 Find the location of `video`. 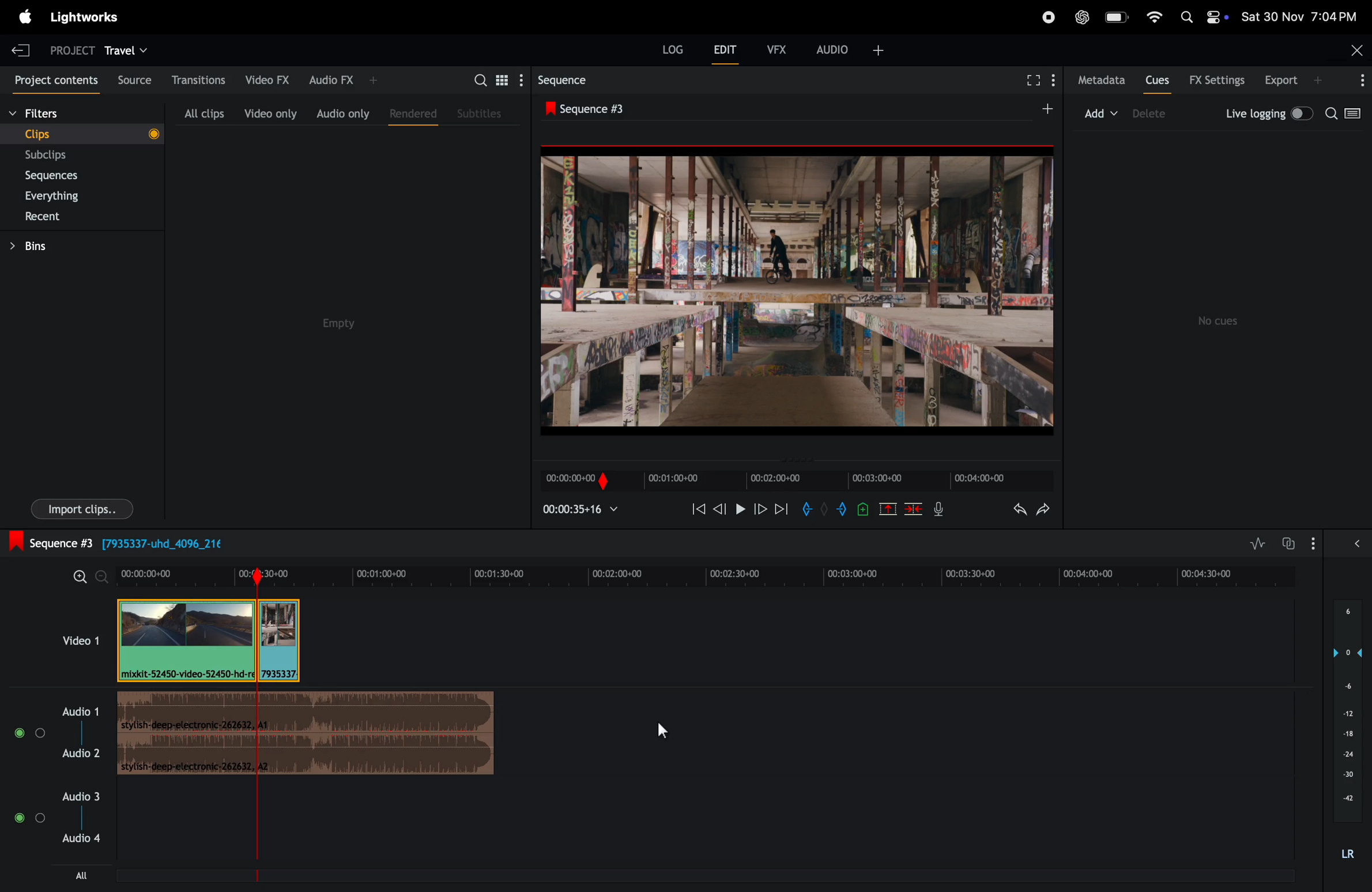

video is located at coordinates (70, 640).